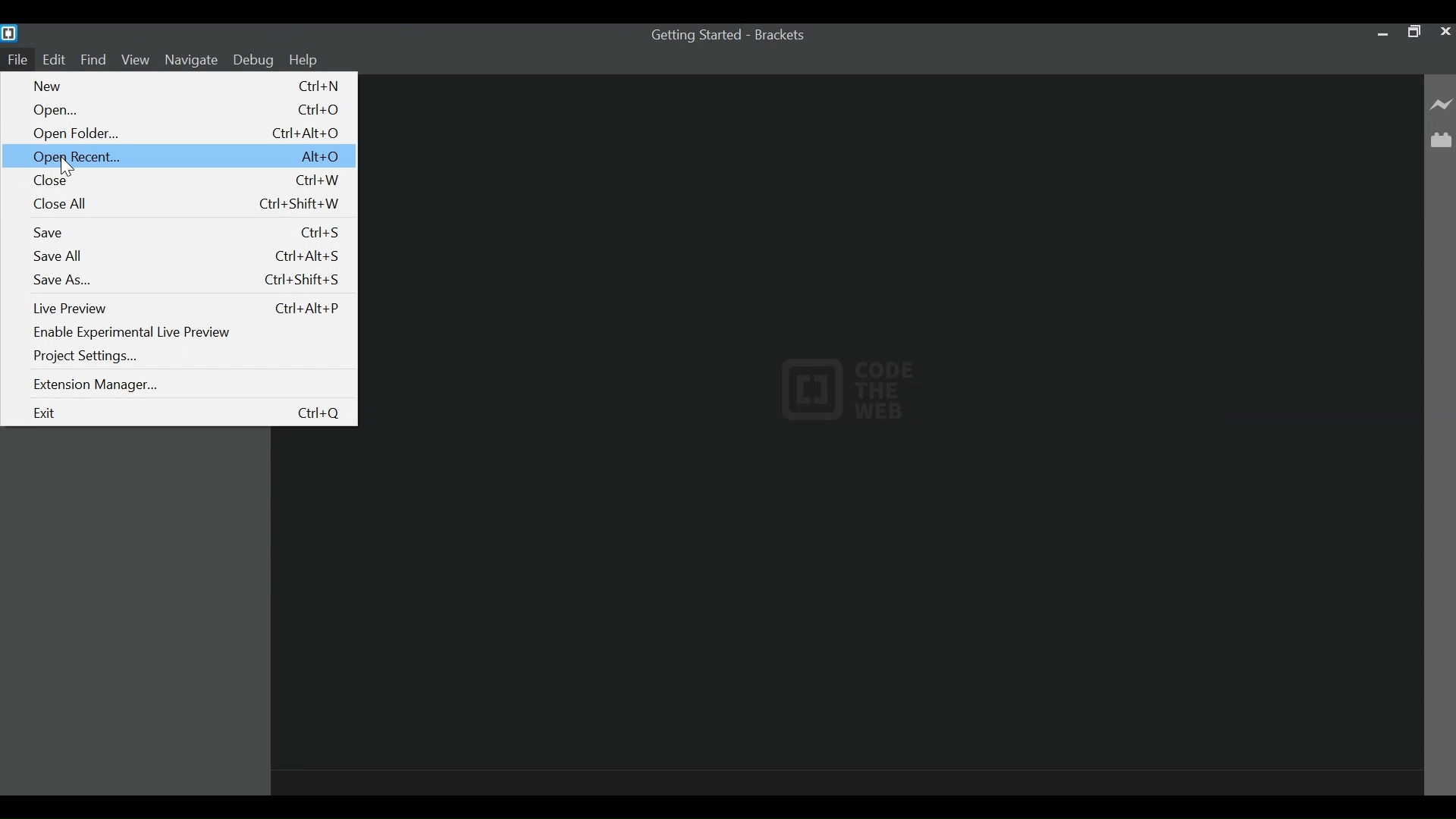  I want to click on Getting Started, so click(695, 35).